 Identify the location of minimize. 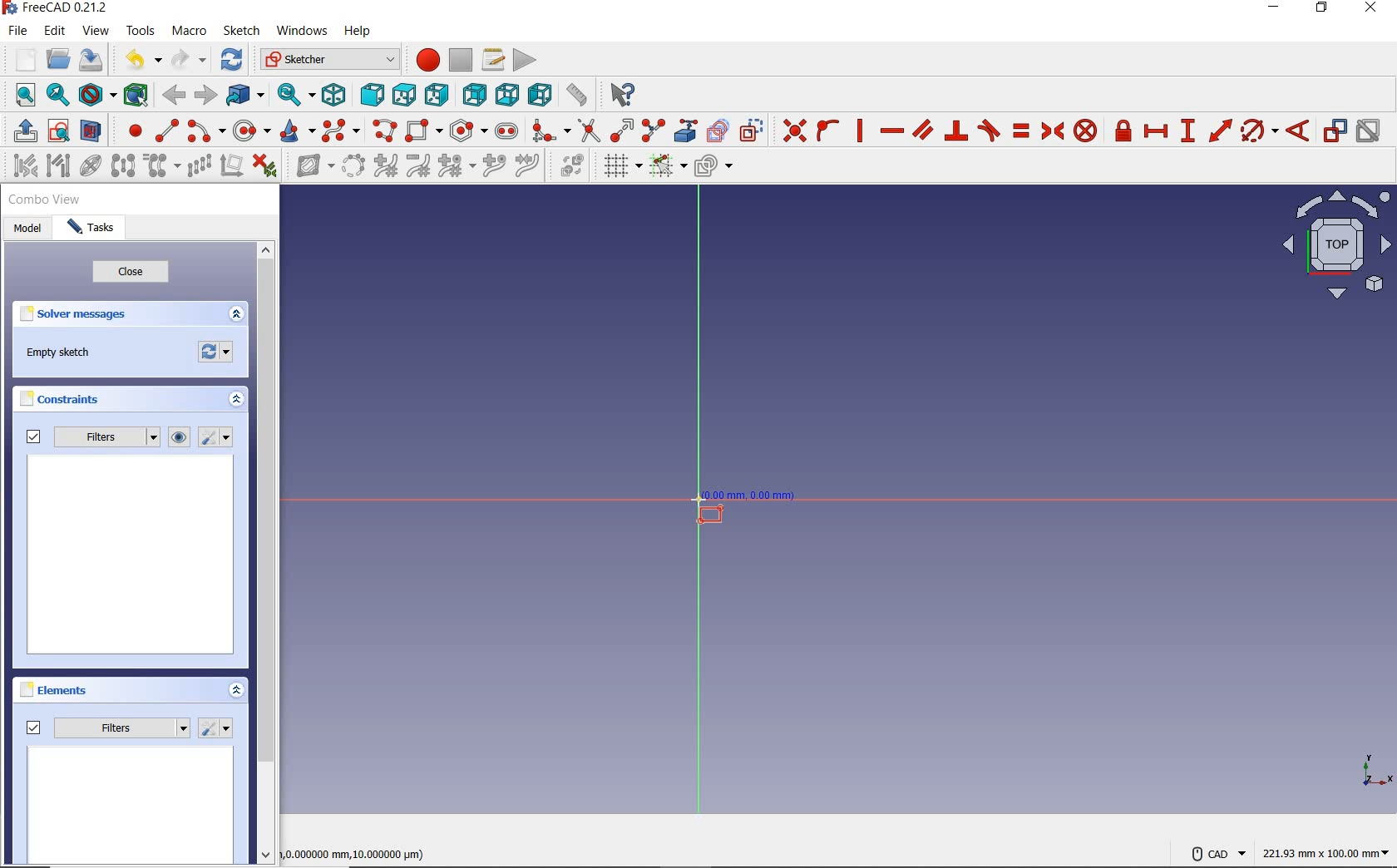
(1275, 11).